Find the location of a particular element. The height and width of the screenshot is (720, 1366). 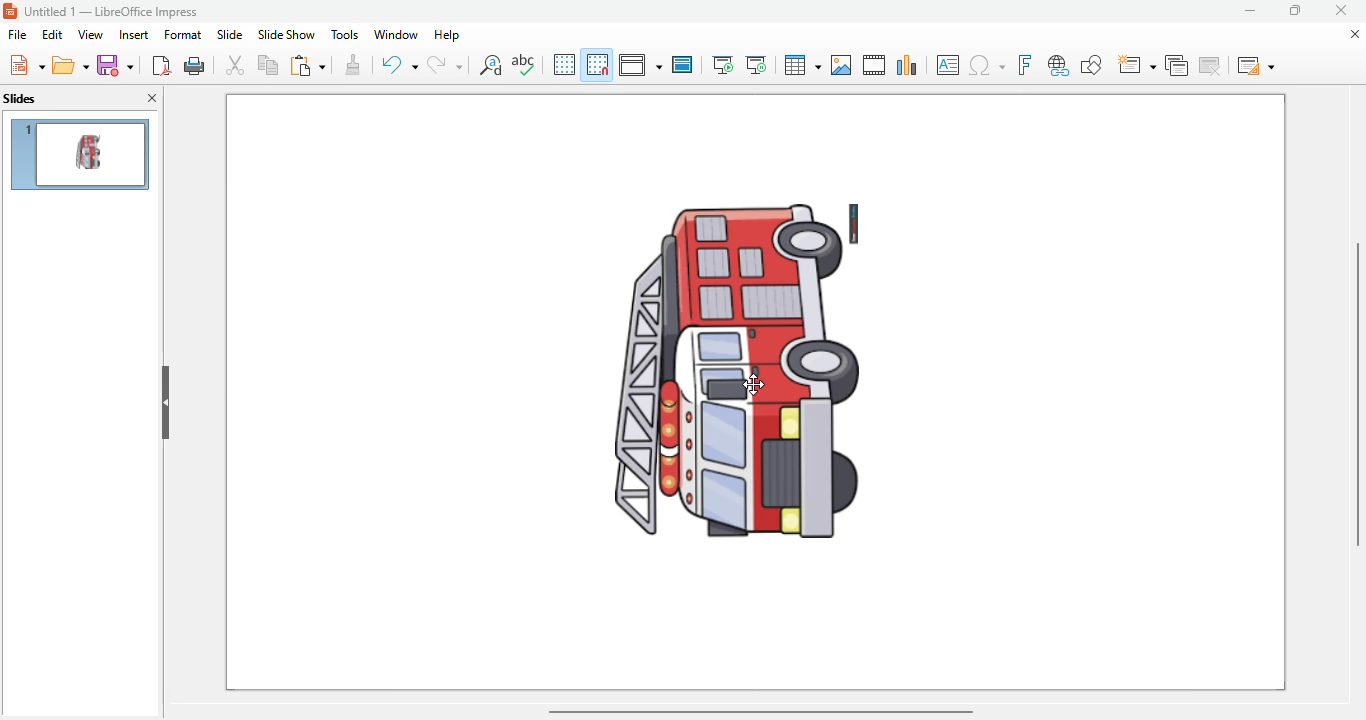

vertical scroll bar is located at coordinates (1358, 393).